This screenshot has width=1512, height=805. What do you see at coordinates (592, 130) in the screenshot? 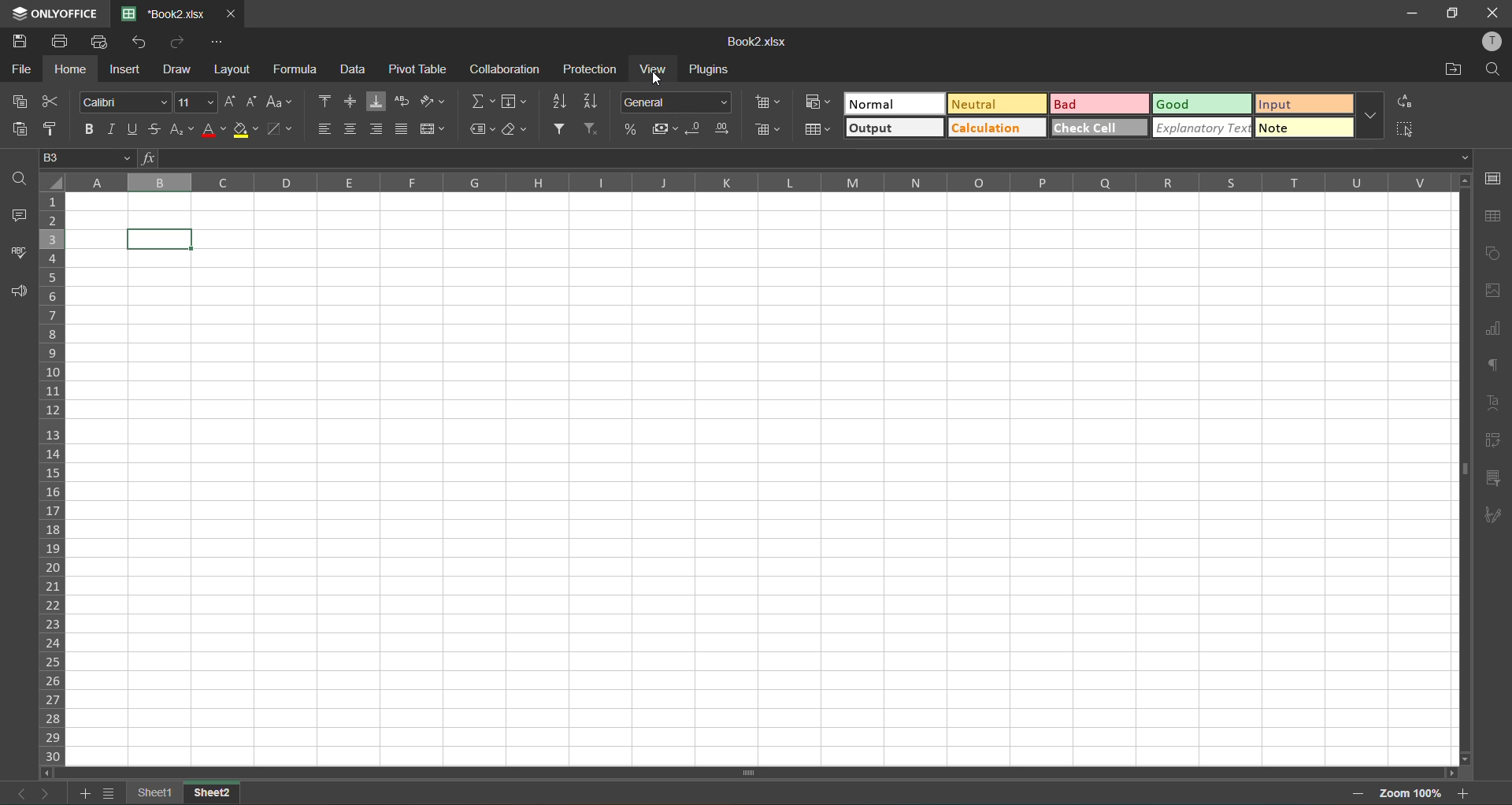
I see `clear filter` at bounding box center [592, 130].